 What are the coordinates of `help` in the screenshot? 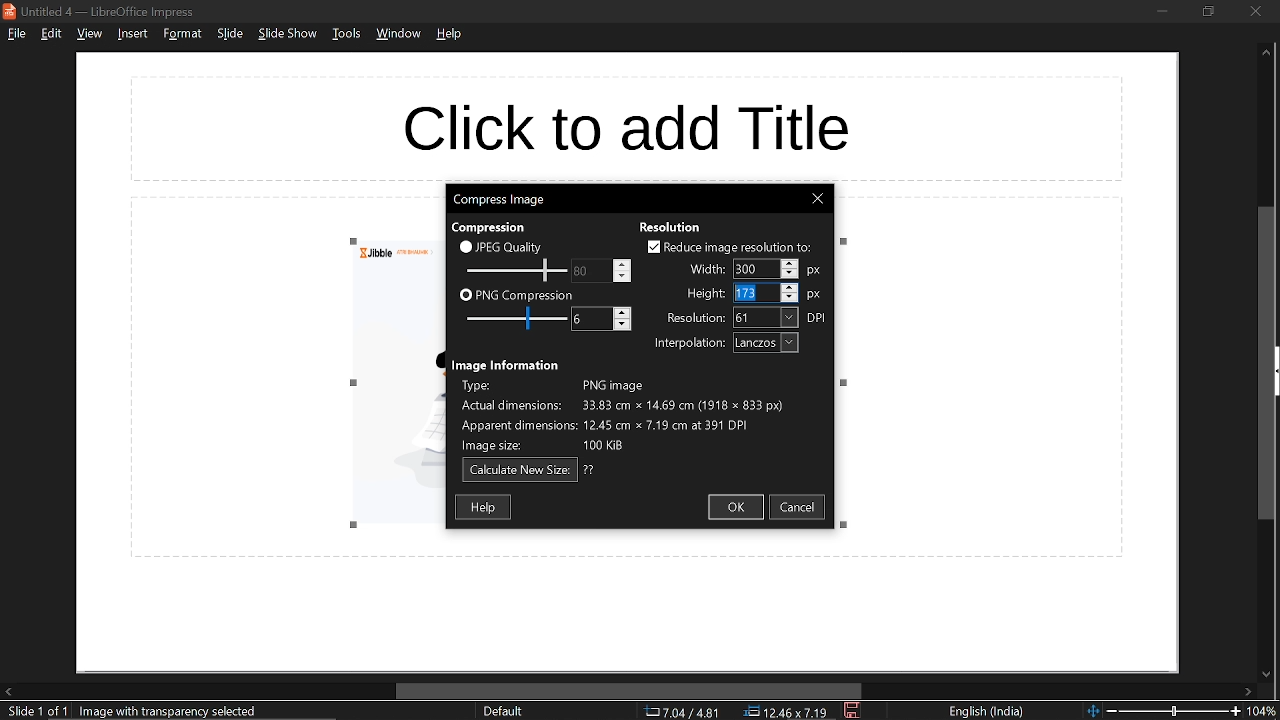 It's located at (484, 507).